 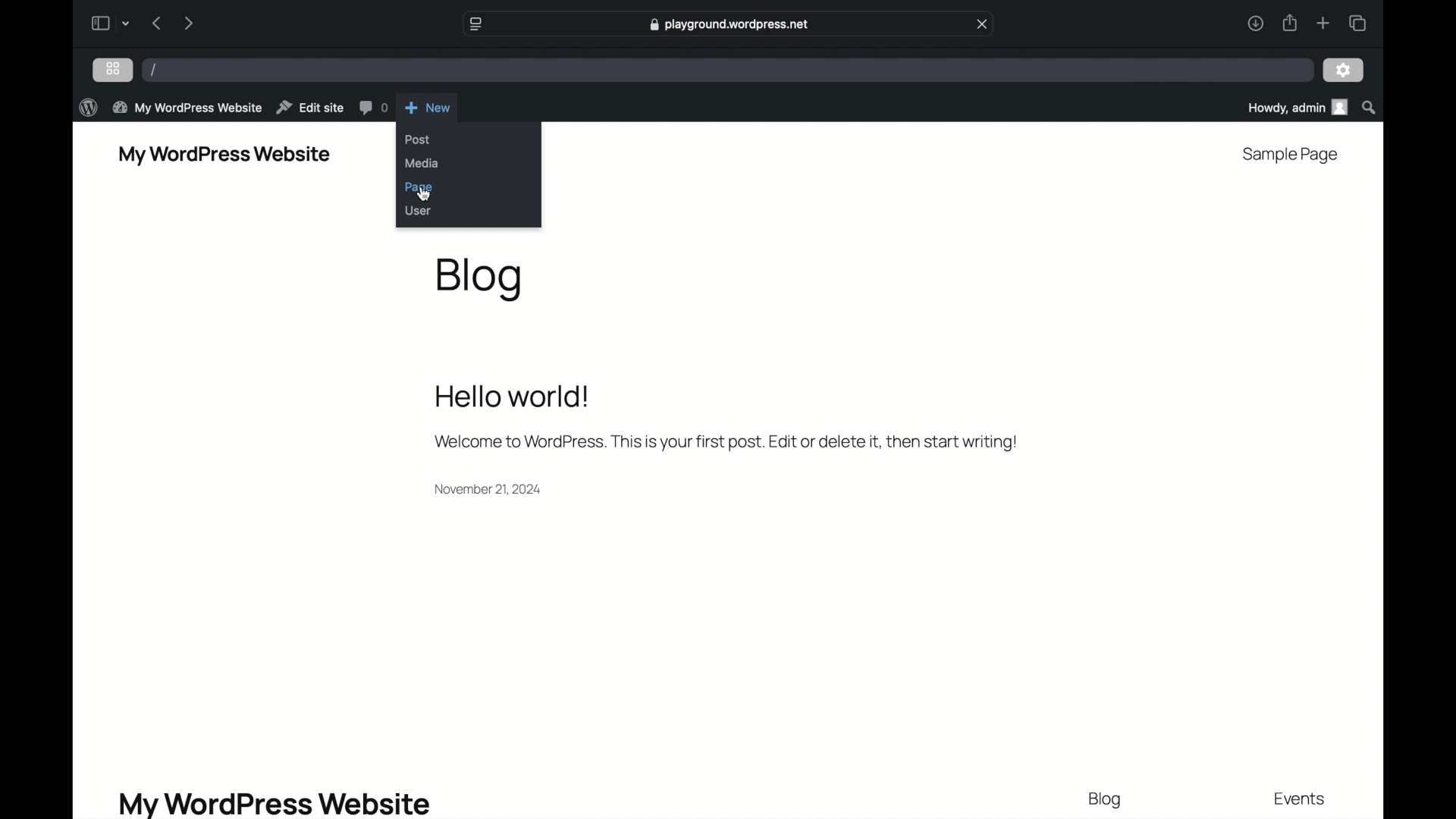 I want to click on comments, so click(x=372, y=107).